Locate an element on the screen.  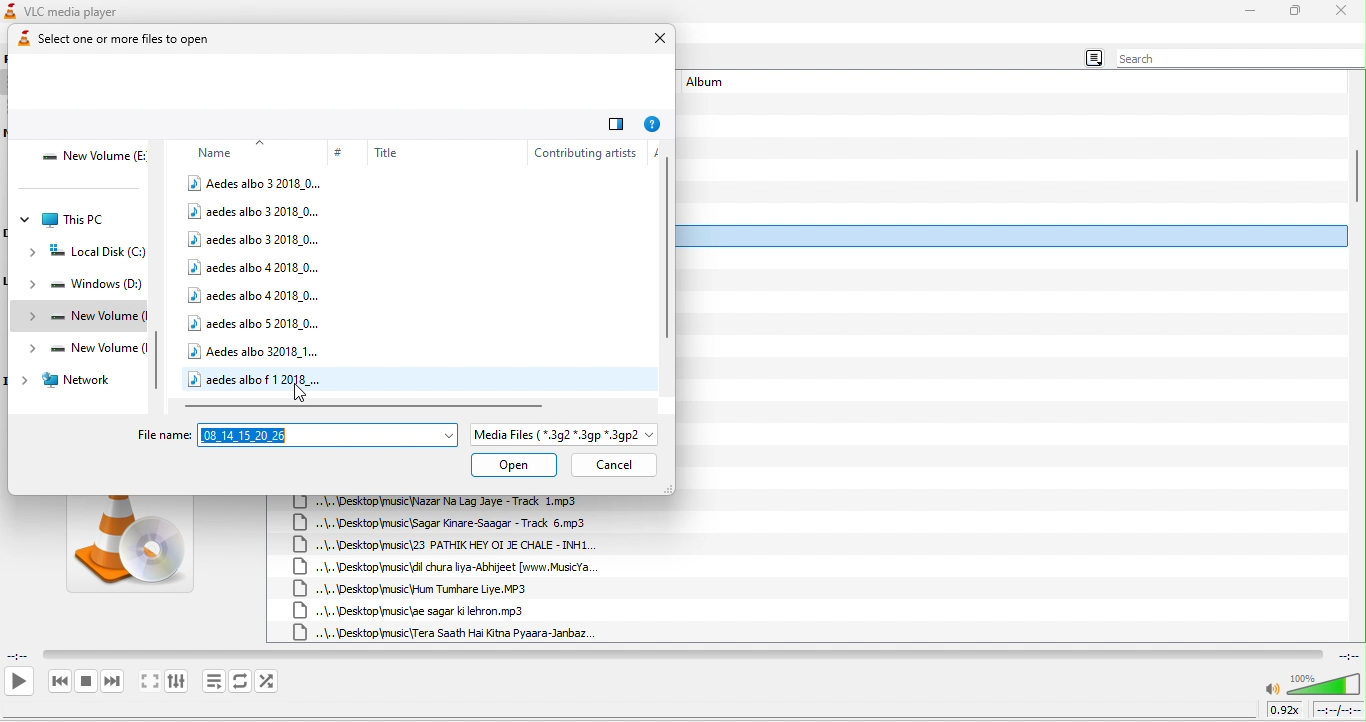
local disk (C:) is located at coordinates (89, 254).